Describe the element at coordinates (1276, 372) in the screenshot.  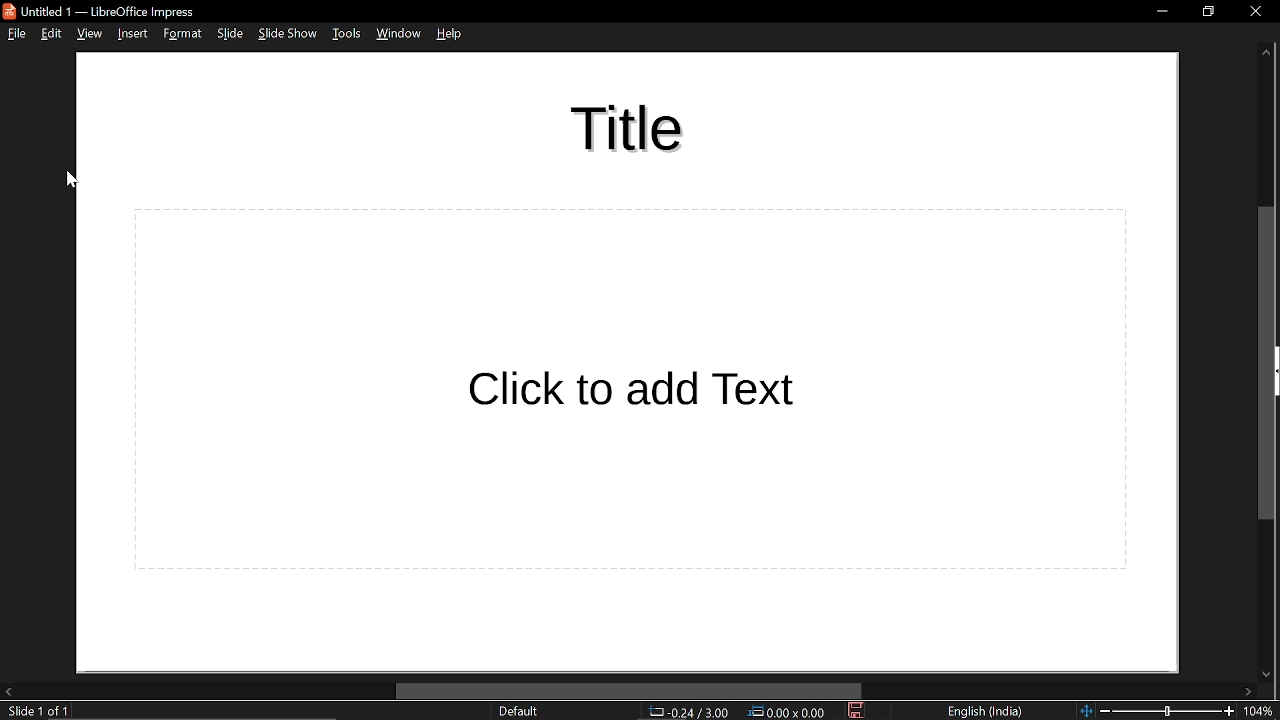
I see `expand pane` at that location.